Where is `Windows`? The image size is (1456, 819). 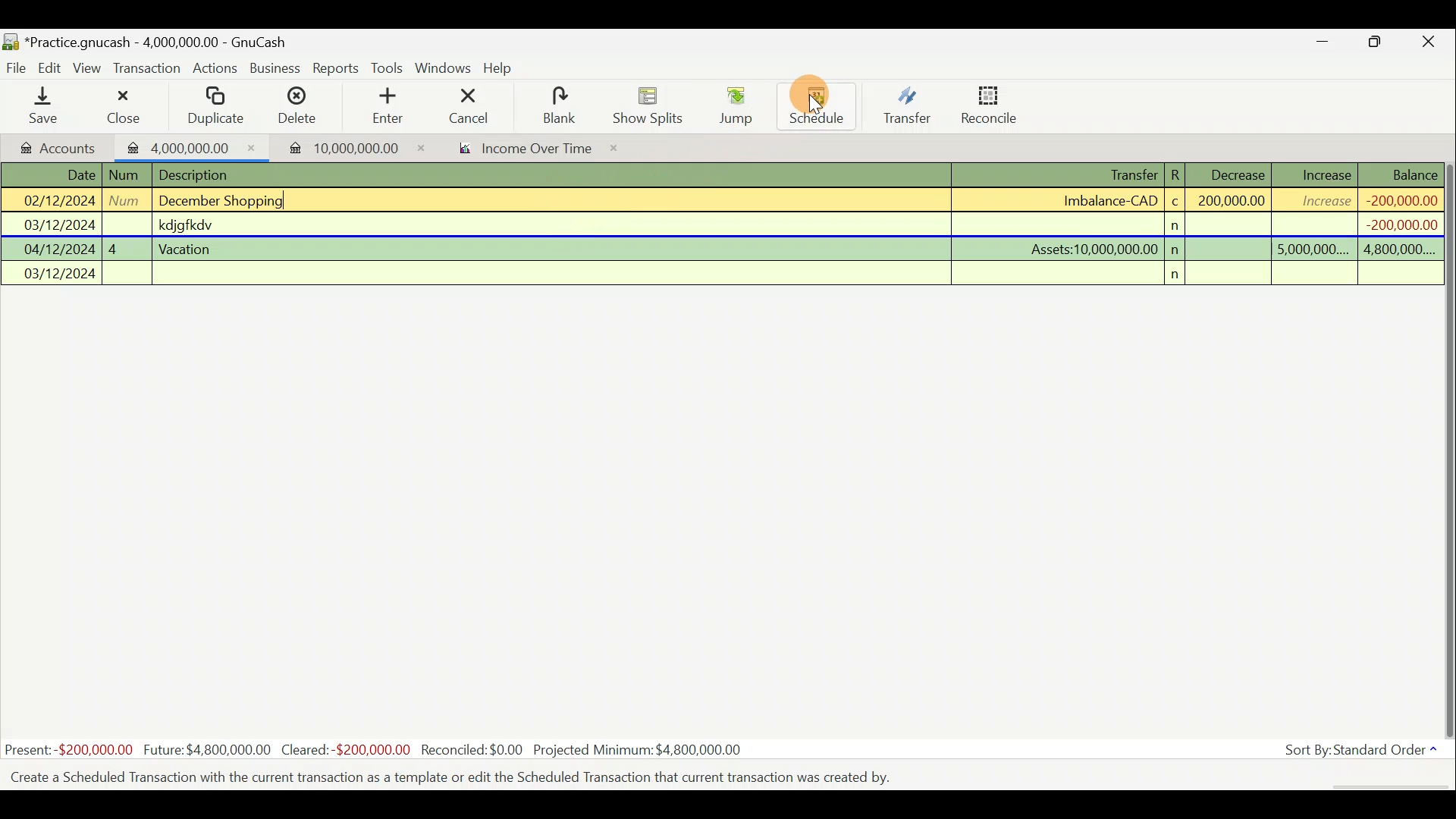
Windows is located at coordinates (445, 69).